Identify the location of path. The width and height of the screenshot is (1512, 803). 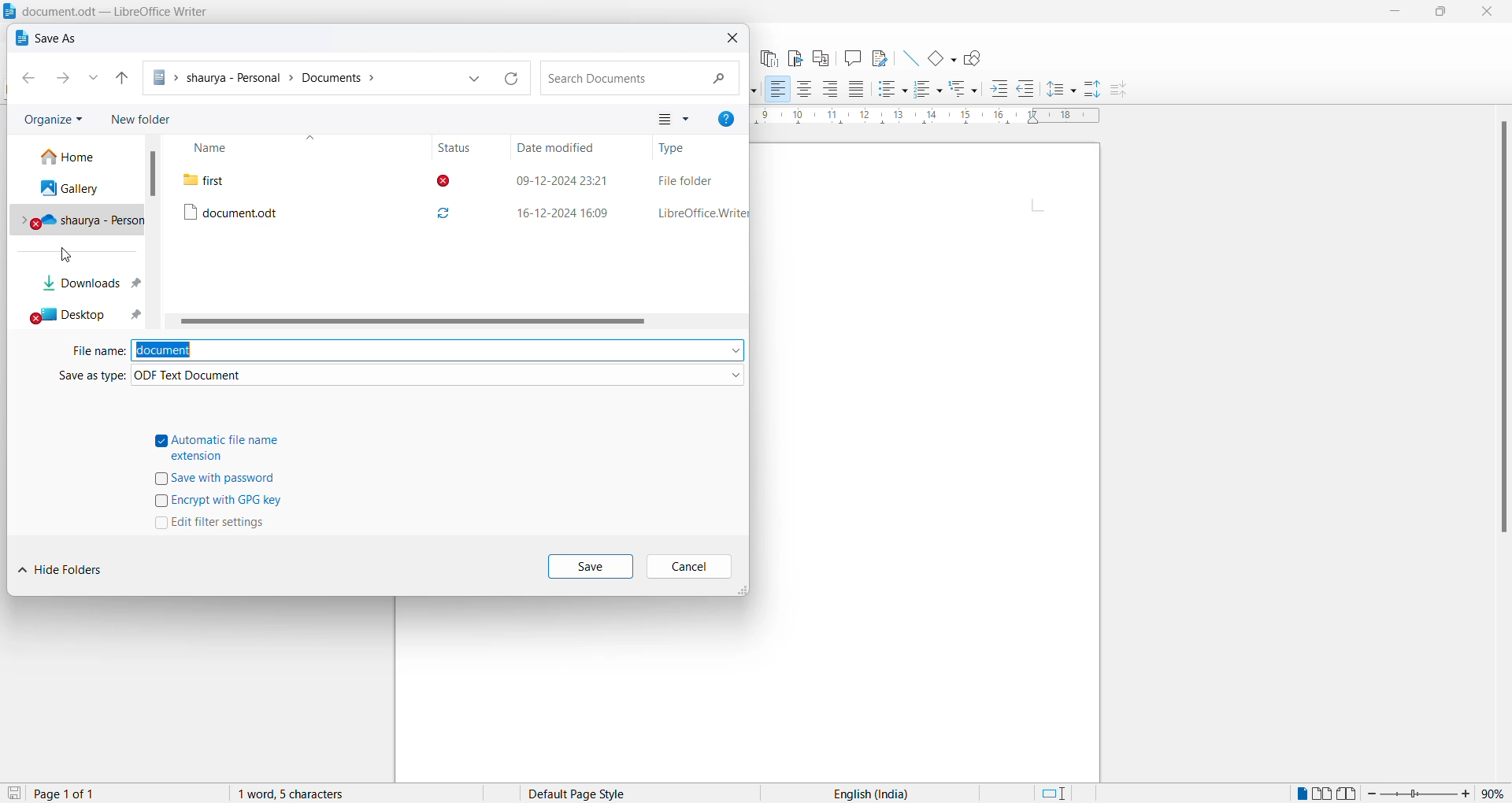
(304, 77).